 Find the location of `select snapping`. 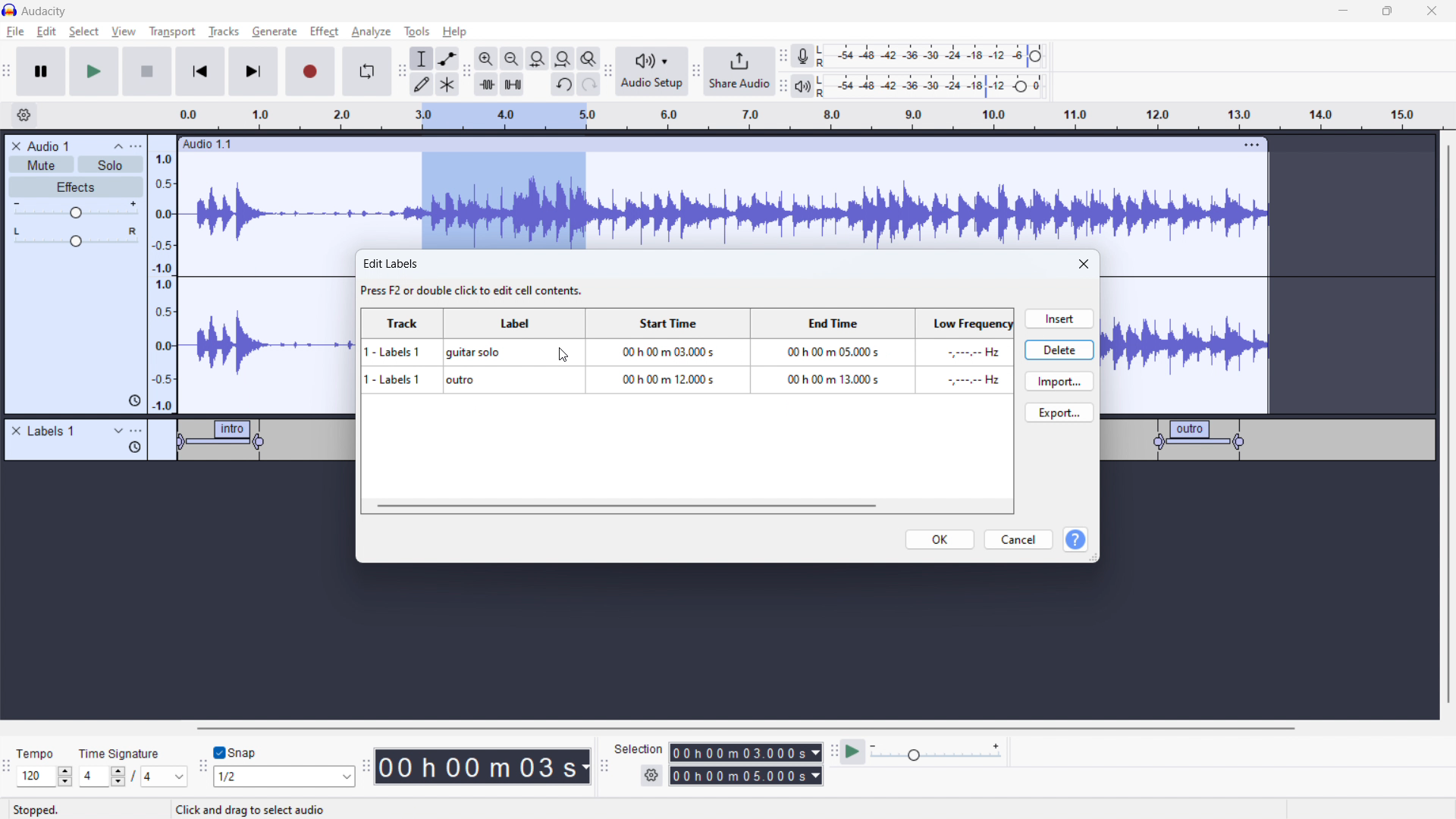

select snapping is located at coordinates (284, 776).